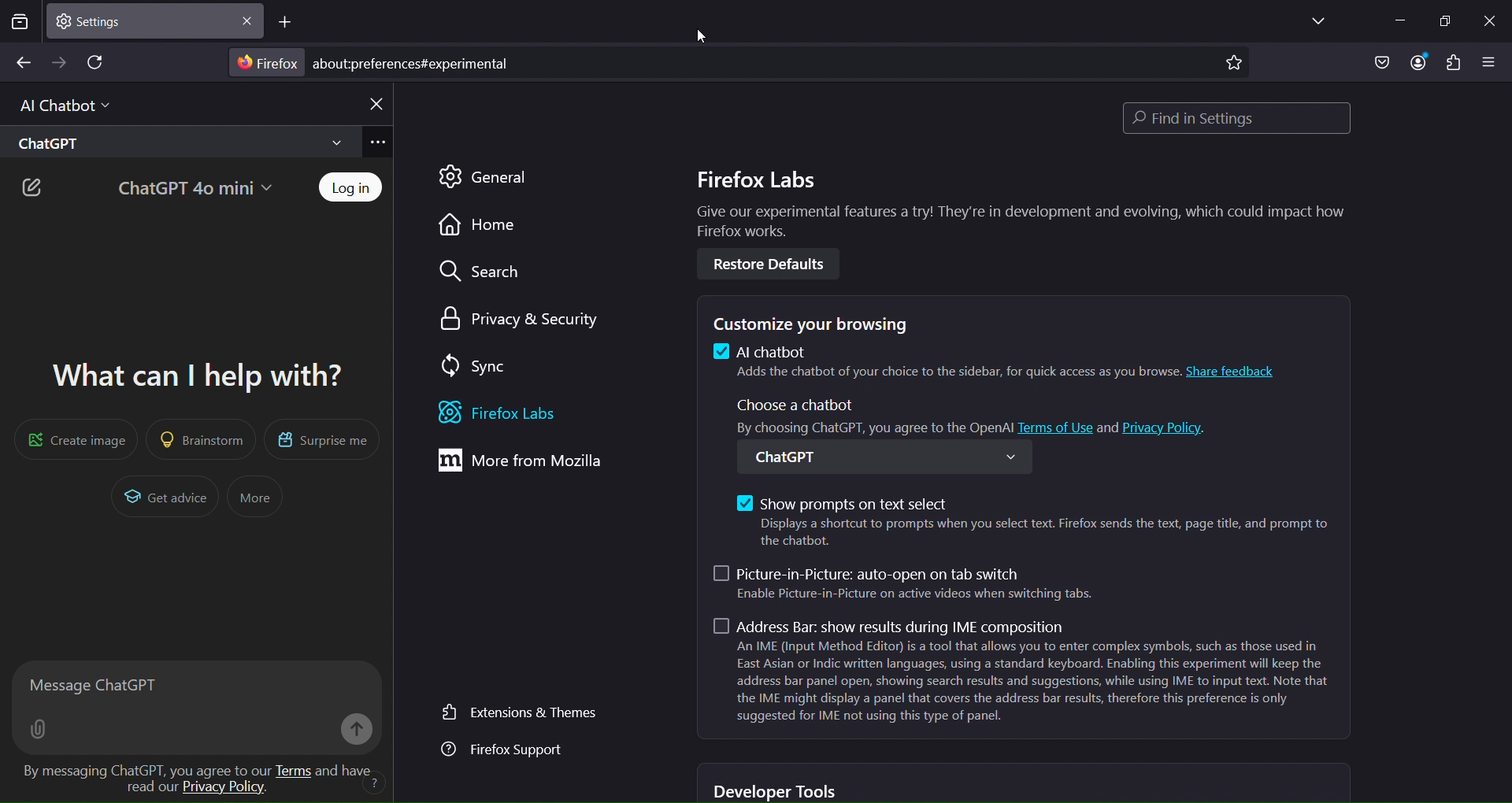 The height and width of the screenshot is (803, 1512). I want to click on open application menu, so click(1492, 63).